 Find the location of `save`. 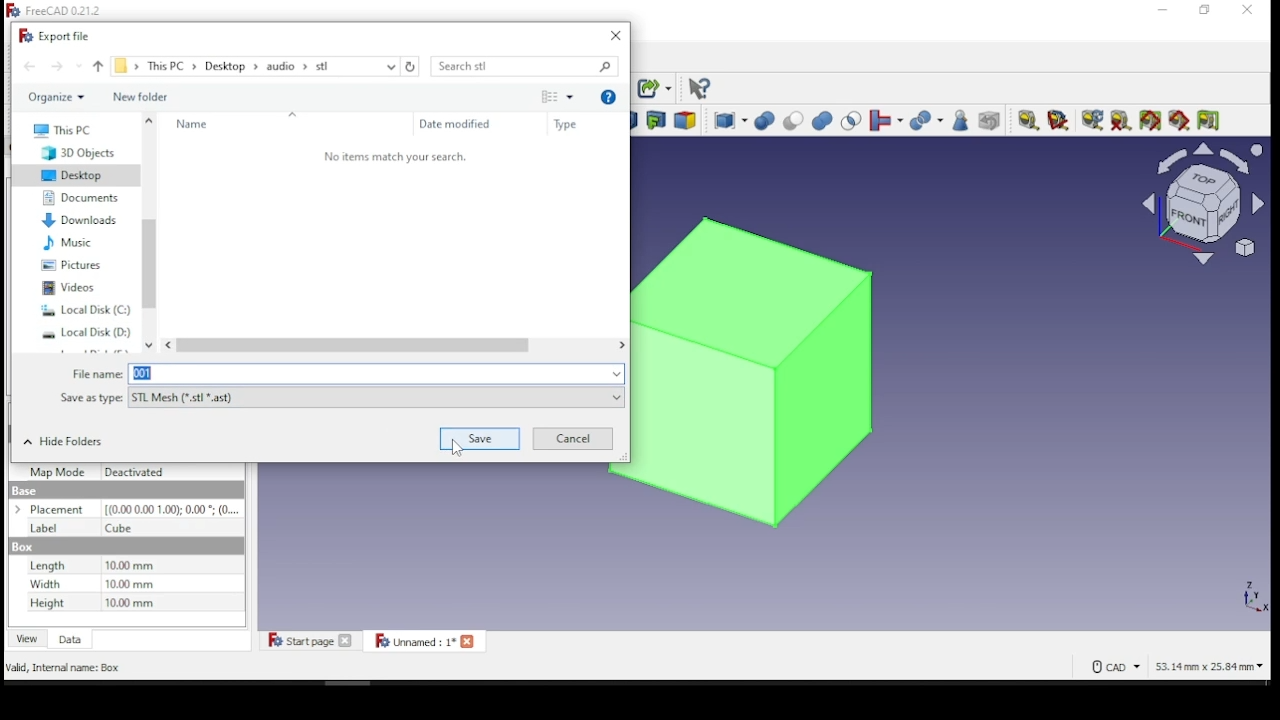

save is located at coordinates (481, 439).